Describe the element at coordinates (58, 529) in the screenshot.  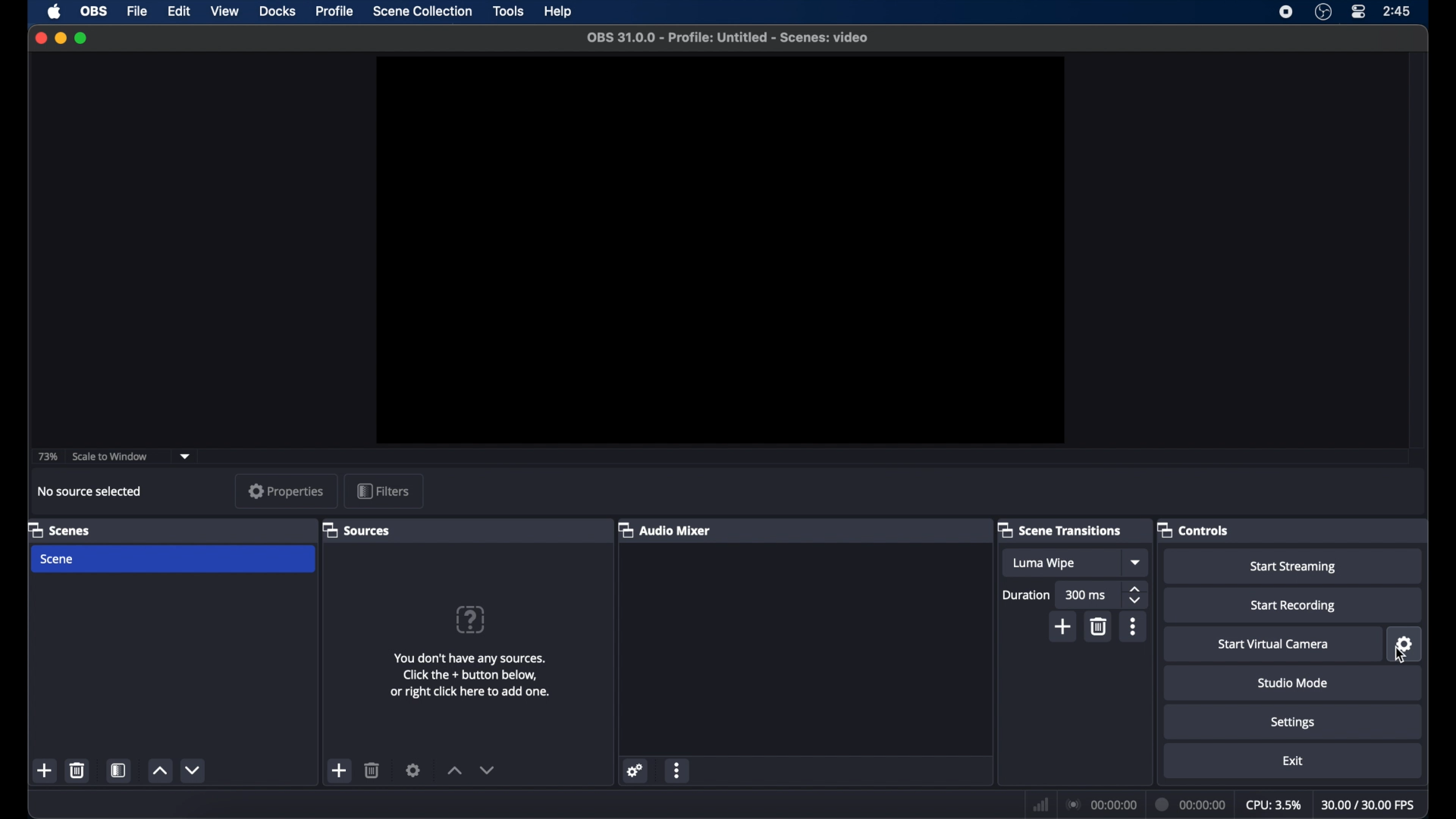
I see `scenes` at that location.